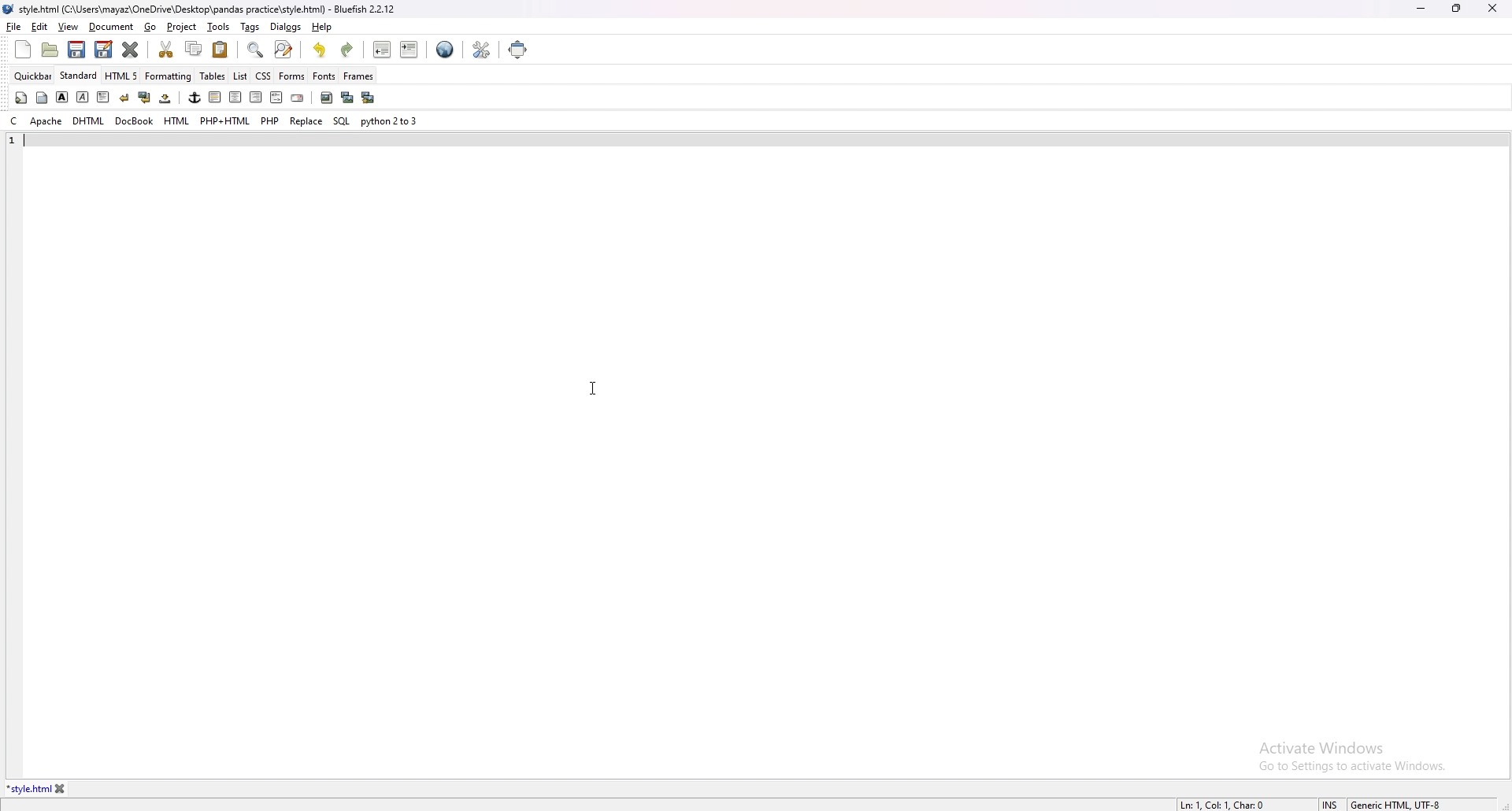 The image size is (1512, 811). Describe the element at coordinates (46, 121) in the screenshot. I see `apache` at that location.